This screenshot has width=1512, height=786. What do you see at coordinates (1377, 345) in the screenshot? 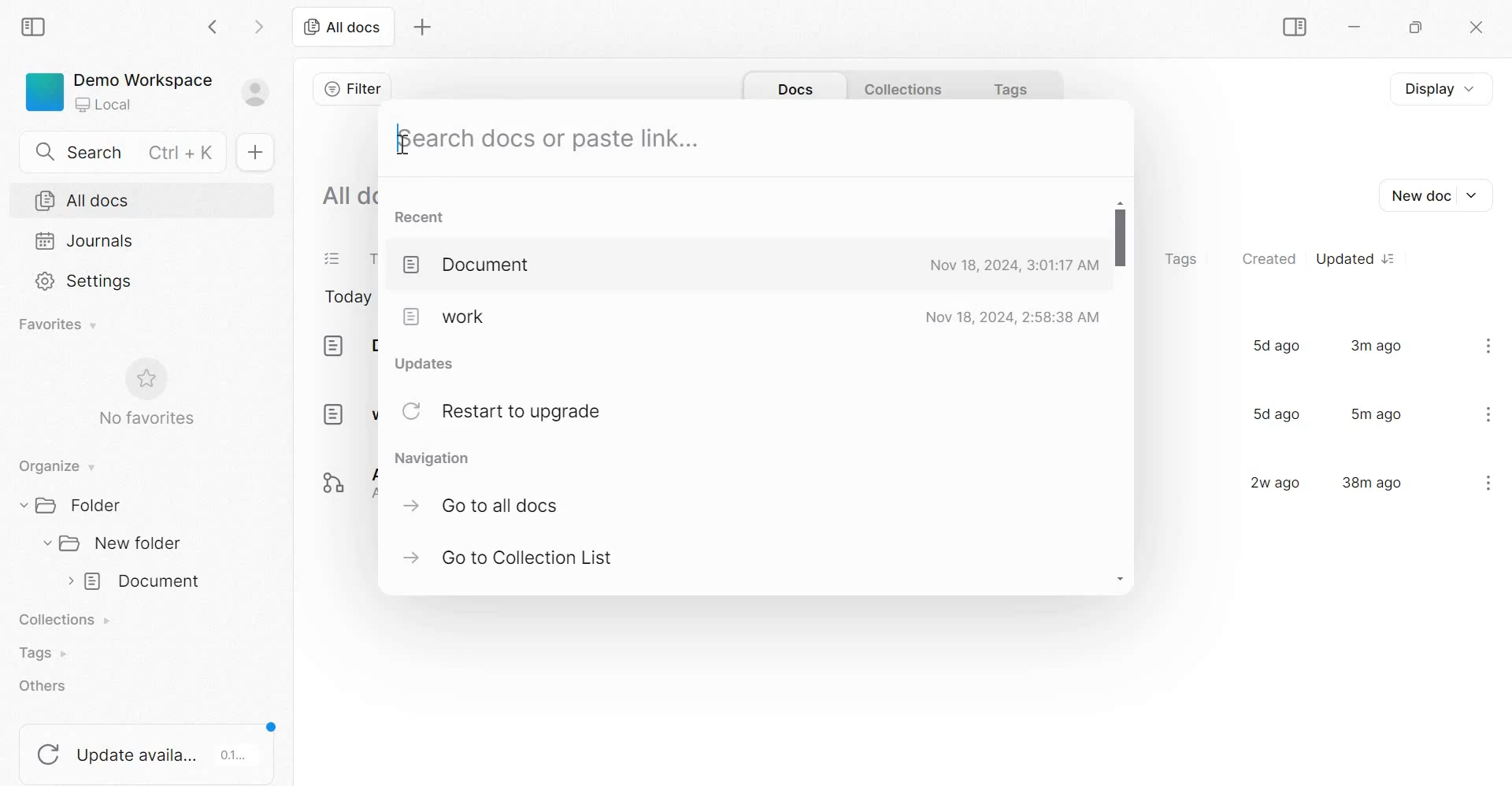
I see `3m ago` at bounding box center [1377, 345].